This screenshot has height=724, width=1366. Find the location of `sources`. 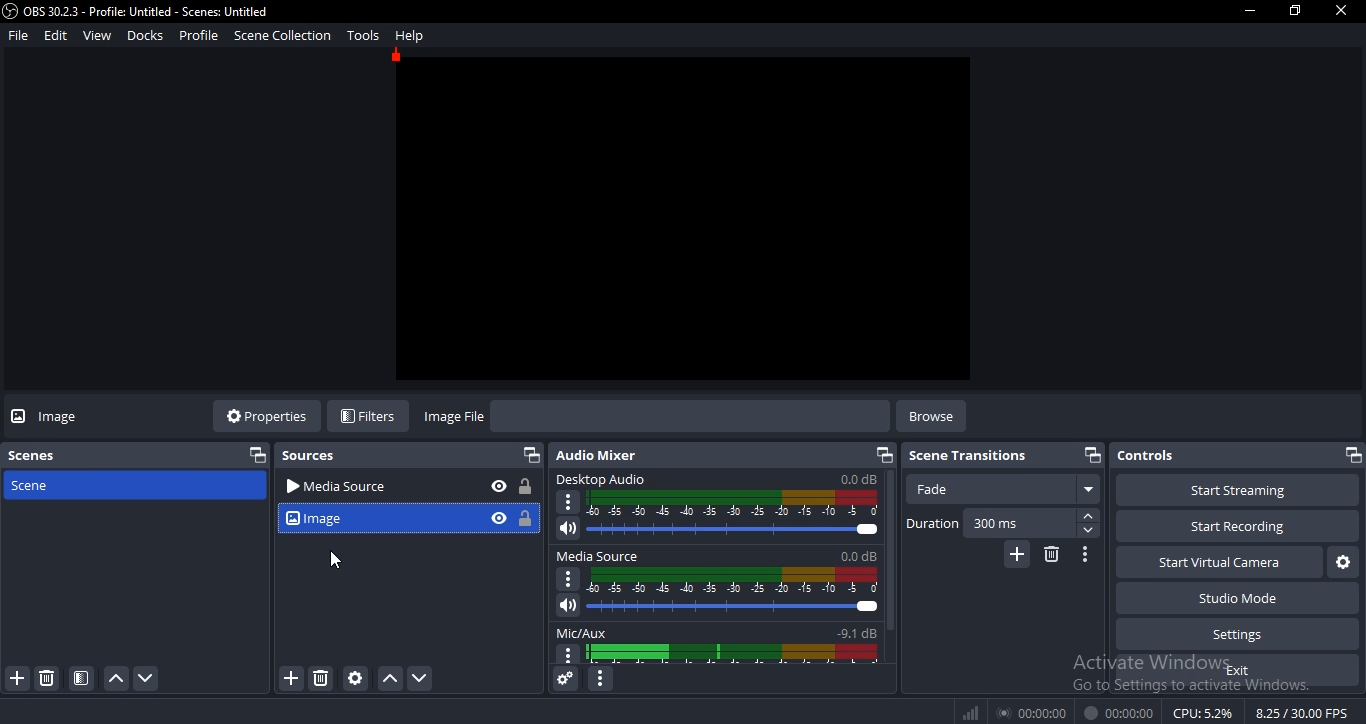

sources is located at coordinates (314, 458).